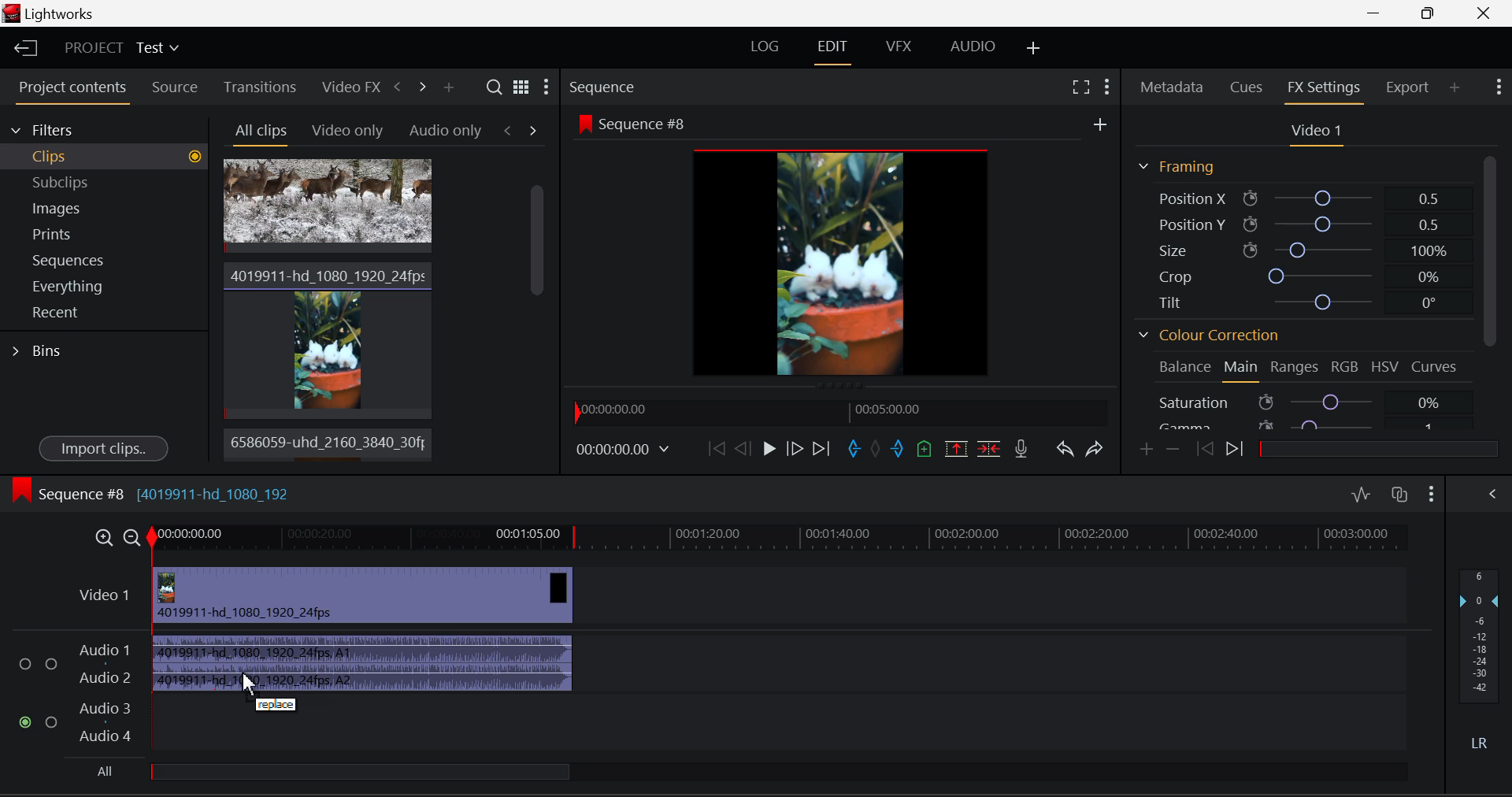  I want to click on Remove Marked Section, so click(958, 447).